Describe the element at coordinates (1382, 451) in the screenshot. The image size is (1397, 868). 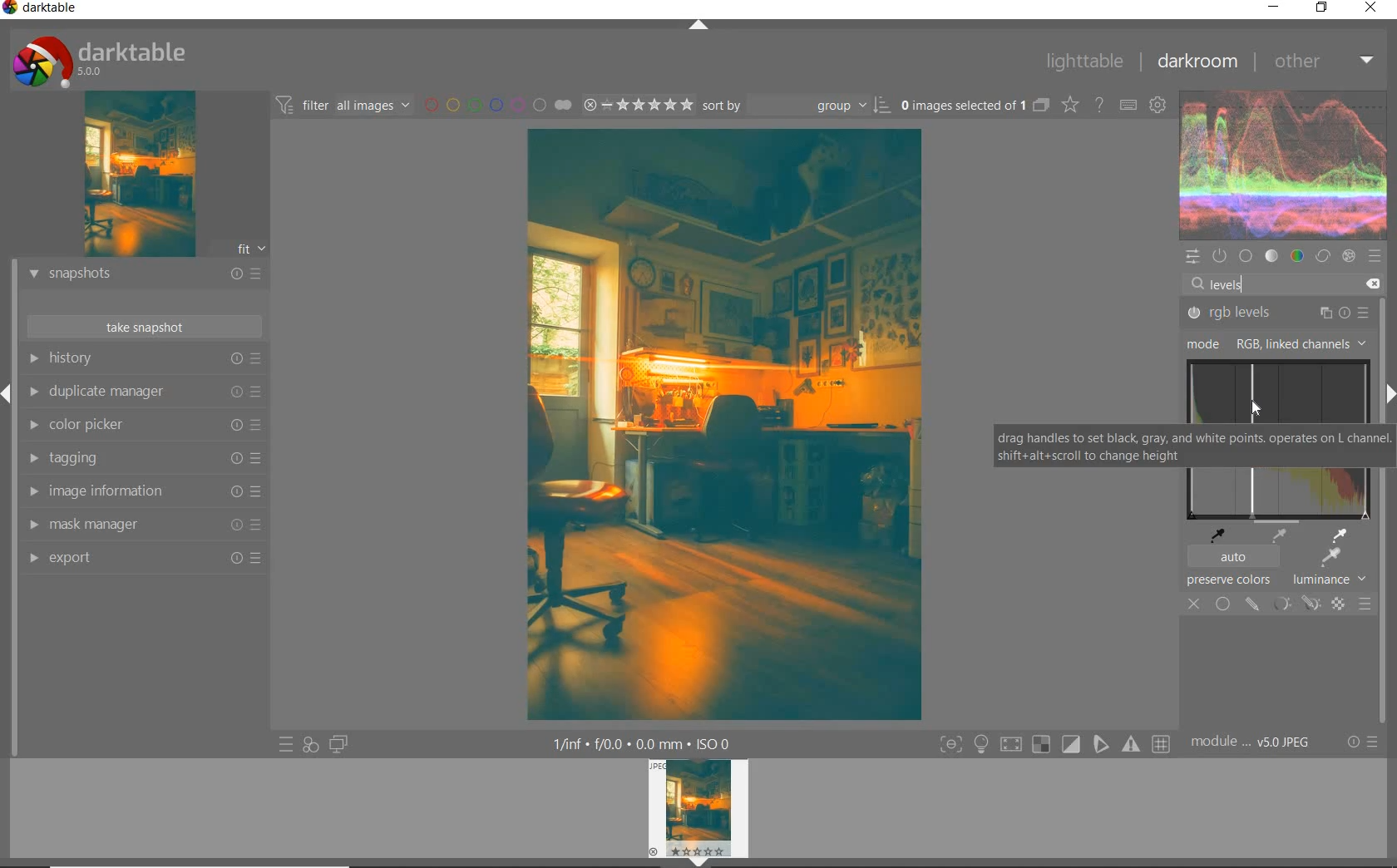
I see `scrollbar` at that location.